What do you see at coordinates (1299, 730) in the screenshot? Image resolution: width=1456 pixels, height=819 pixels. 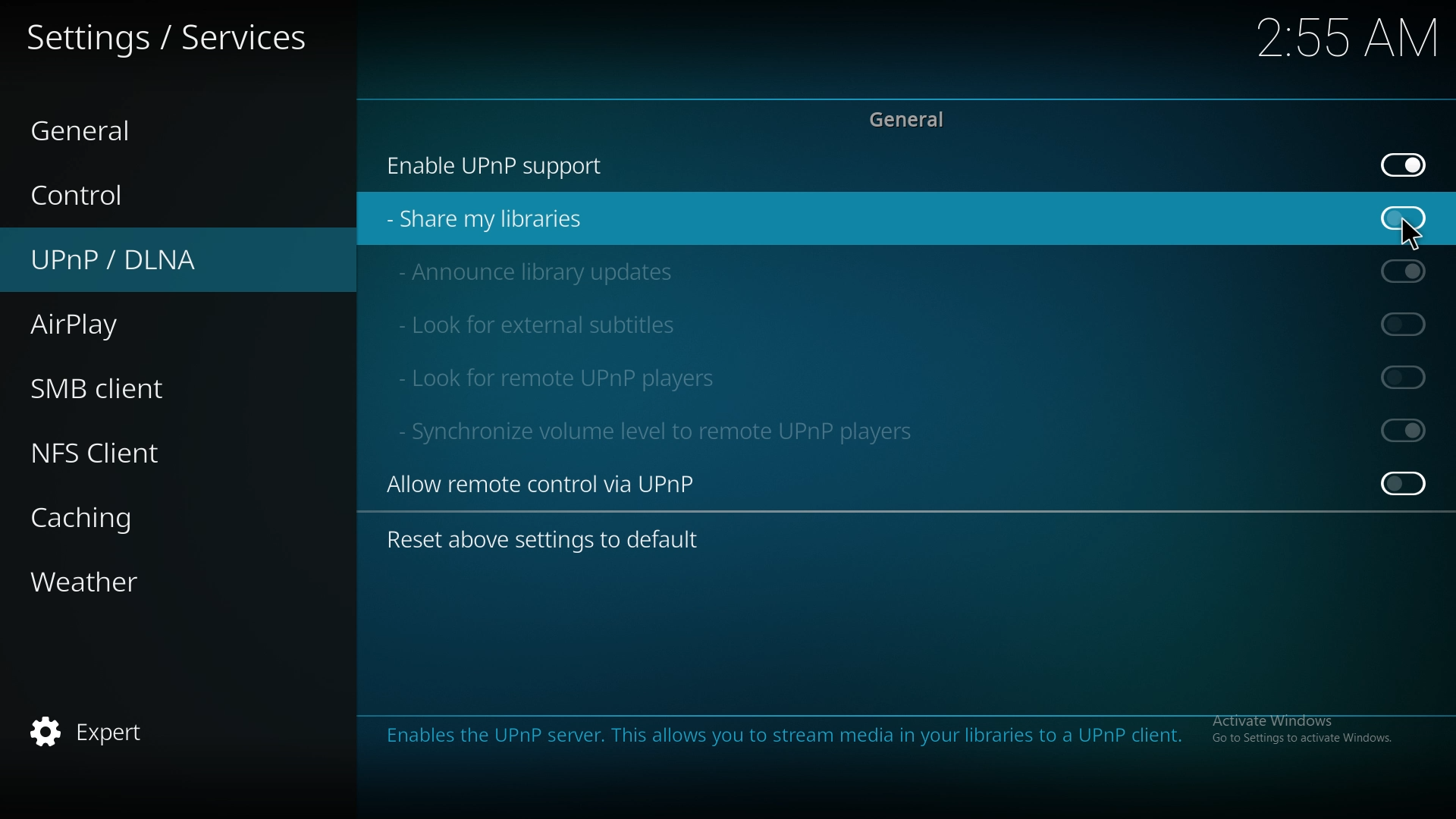 I see `Activate Windows, Go to settings to activate windows` at bounding box center [1299, 730].